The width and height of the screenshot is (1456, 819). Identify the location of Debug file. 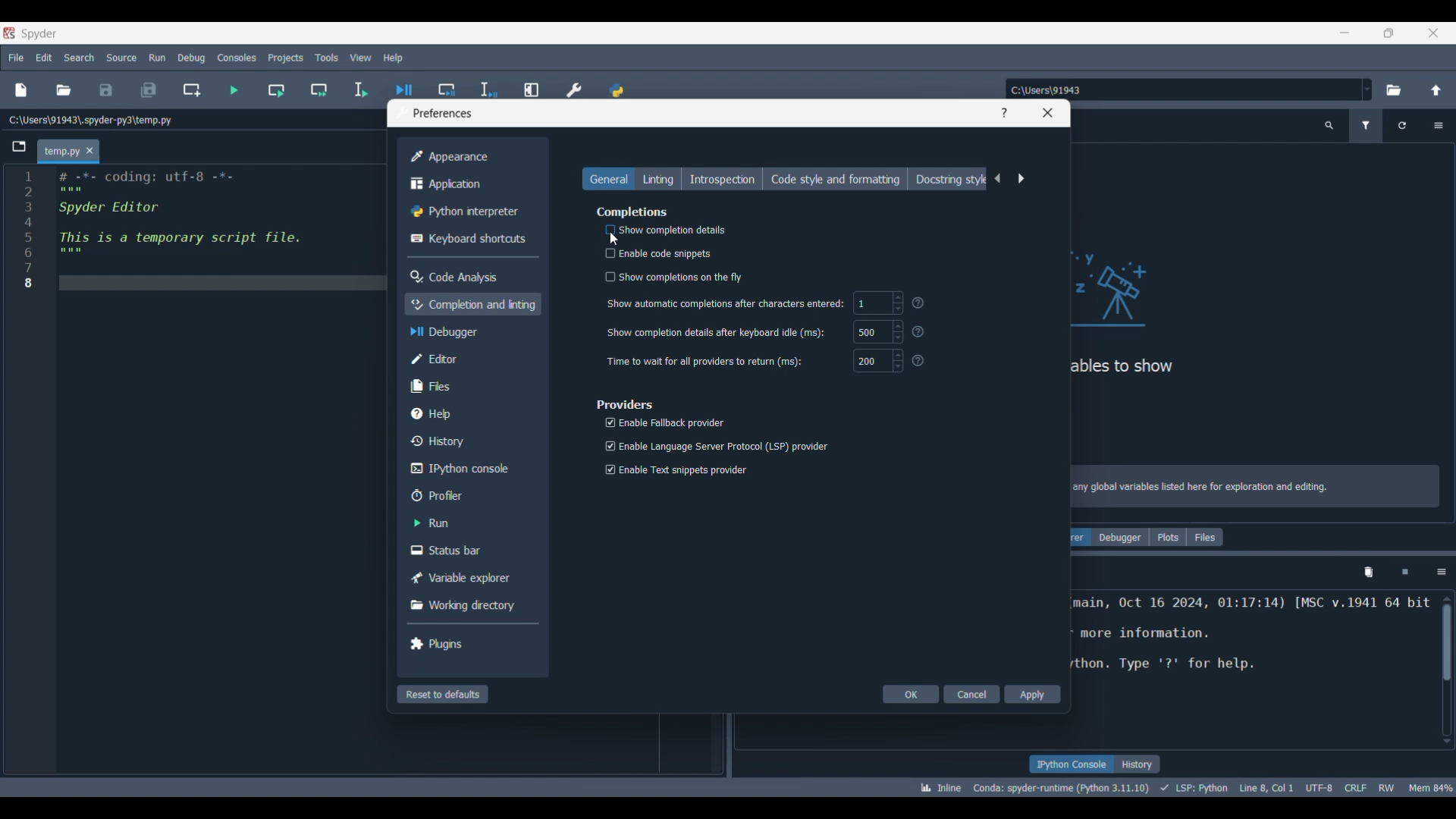
(404, 84).